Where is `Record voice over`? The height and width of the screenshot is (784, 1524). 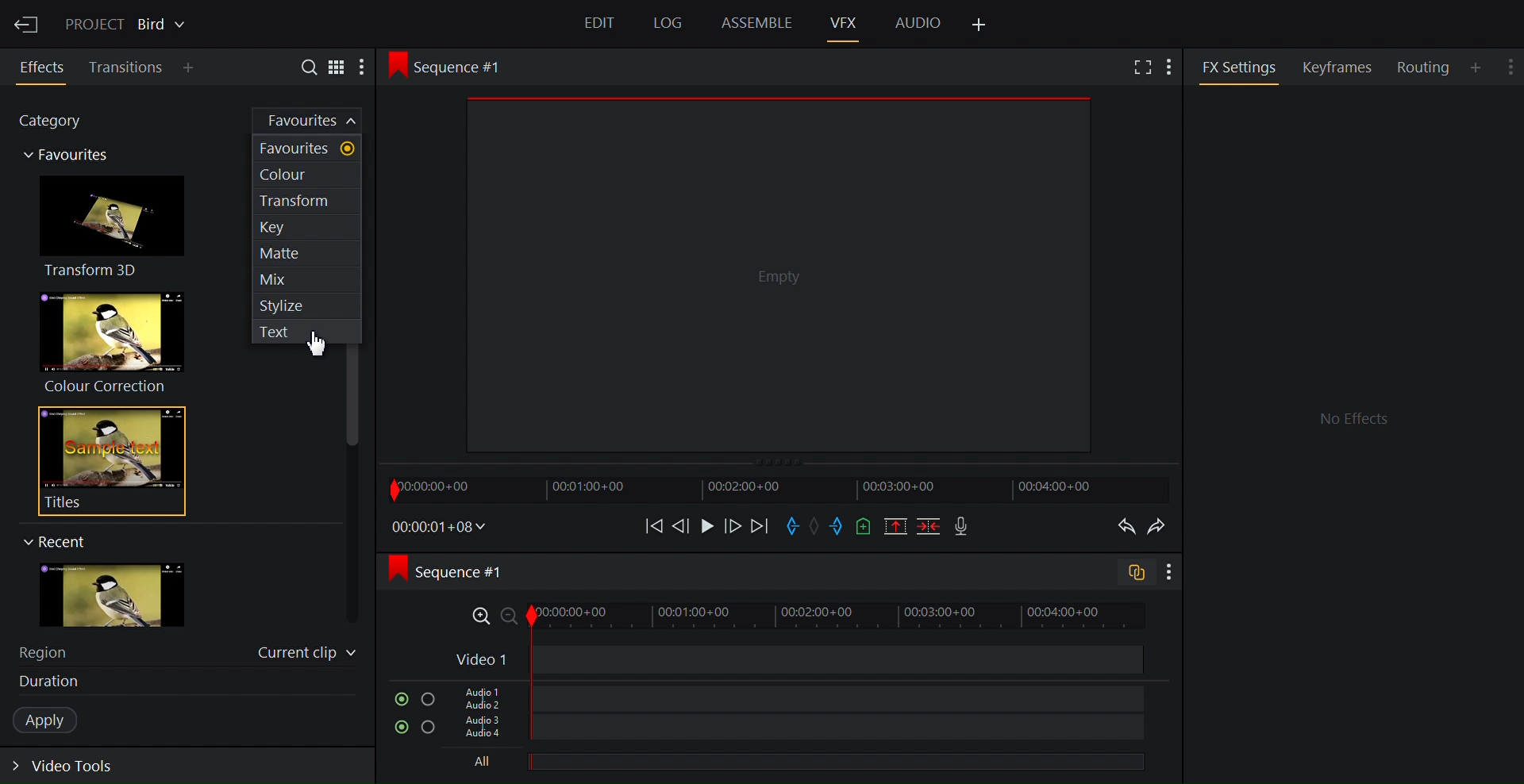 Record voice over is located at coordinates (963, 527).